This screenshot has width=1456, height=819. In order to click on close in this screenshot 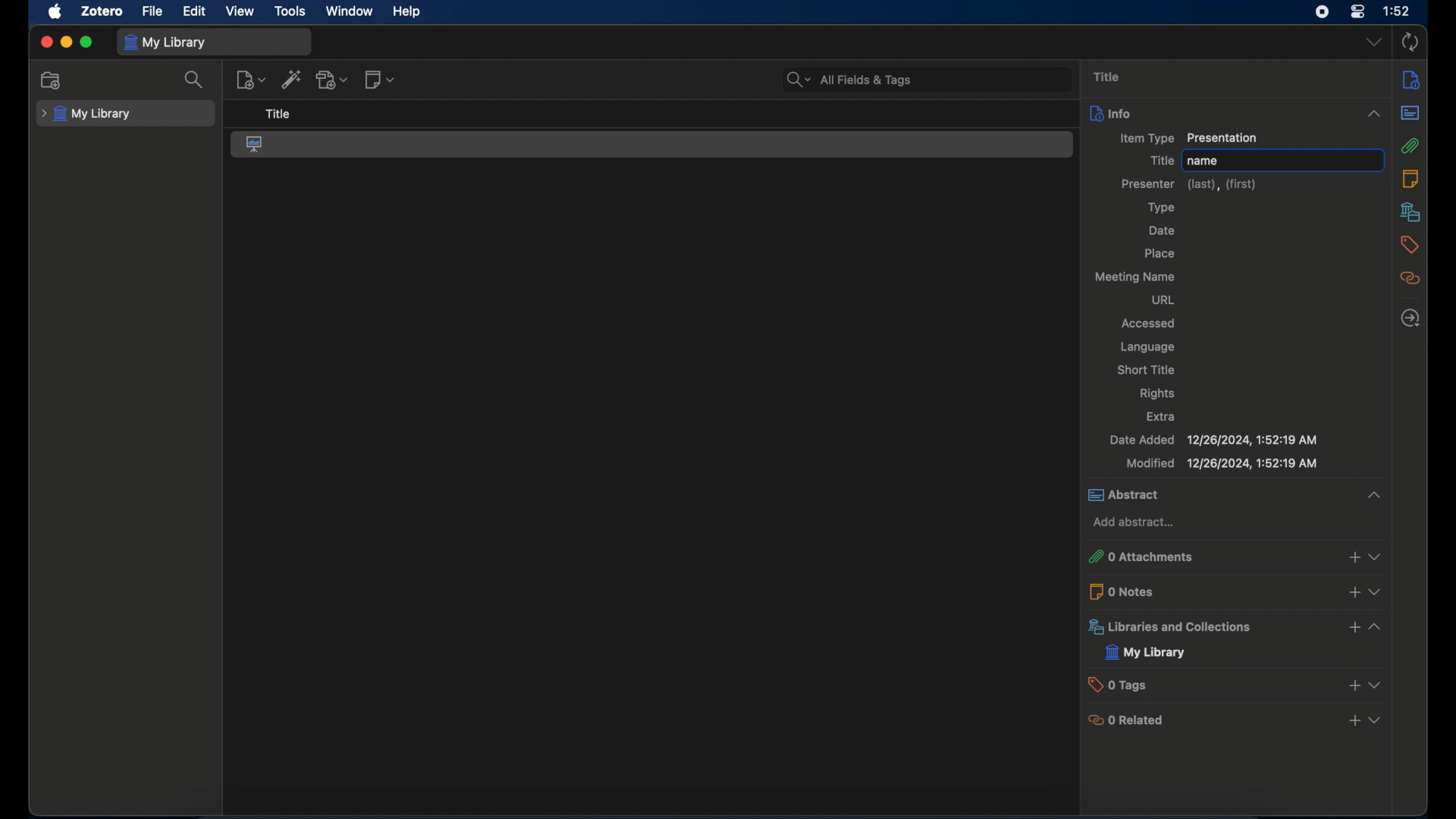, I will do `click(46, 42)`.